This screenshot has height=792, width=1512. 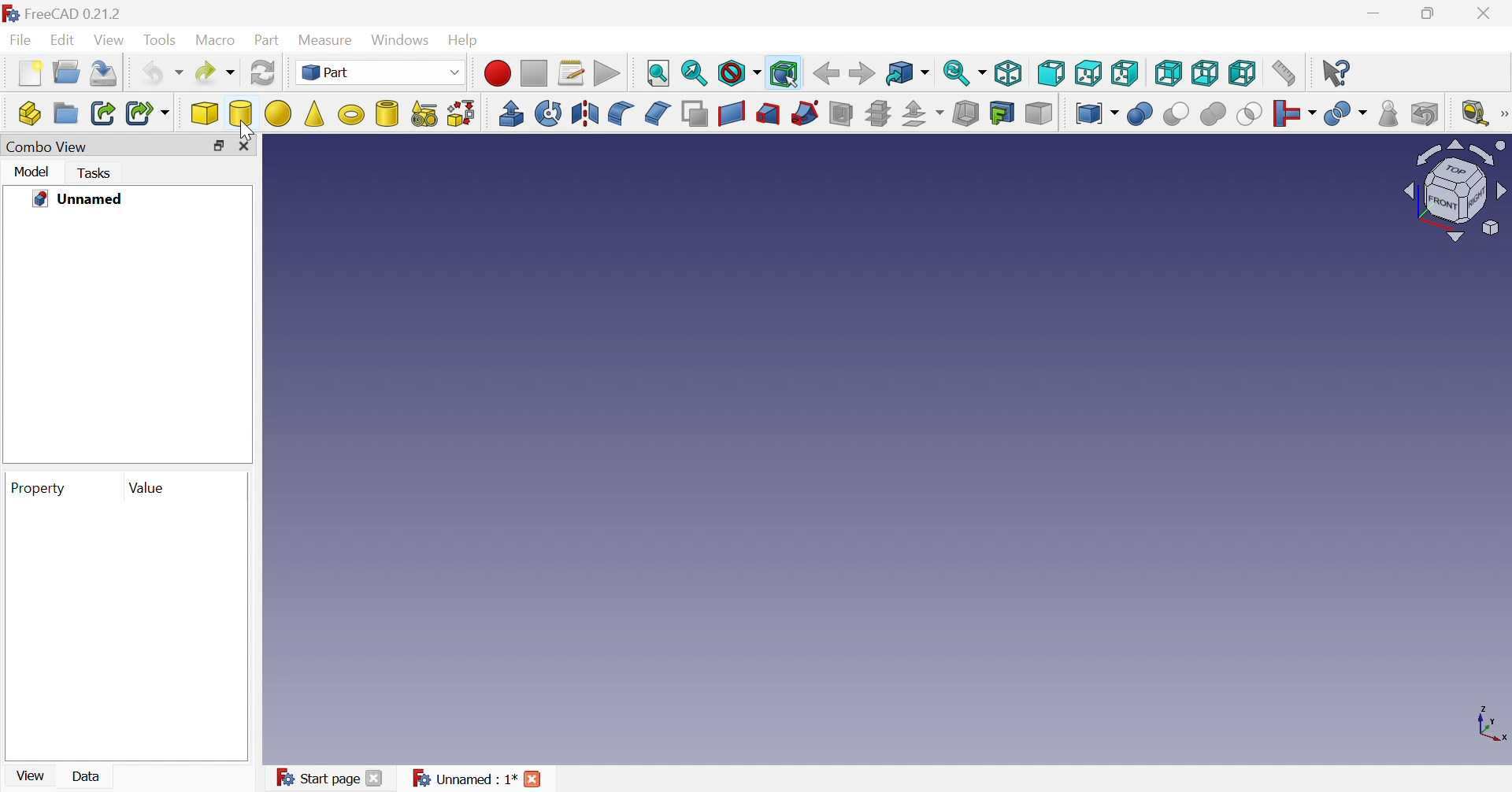 What do you see at coordinates (1295, 114) in the screenshot?
I see `Join objects` at bounding box center [1295, 114].